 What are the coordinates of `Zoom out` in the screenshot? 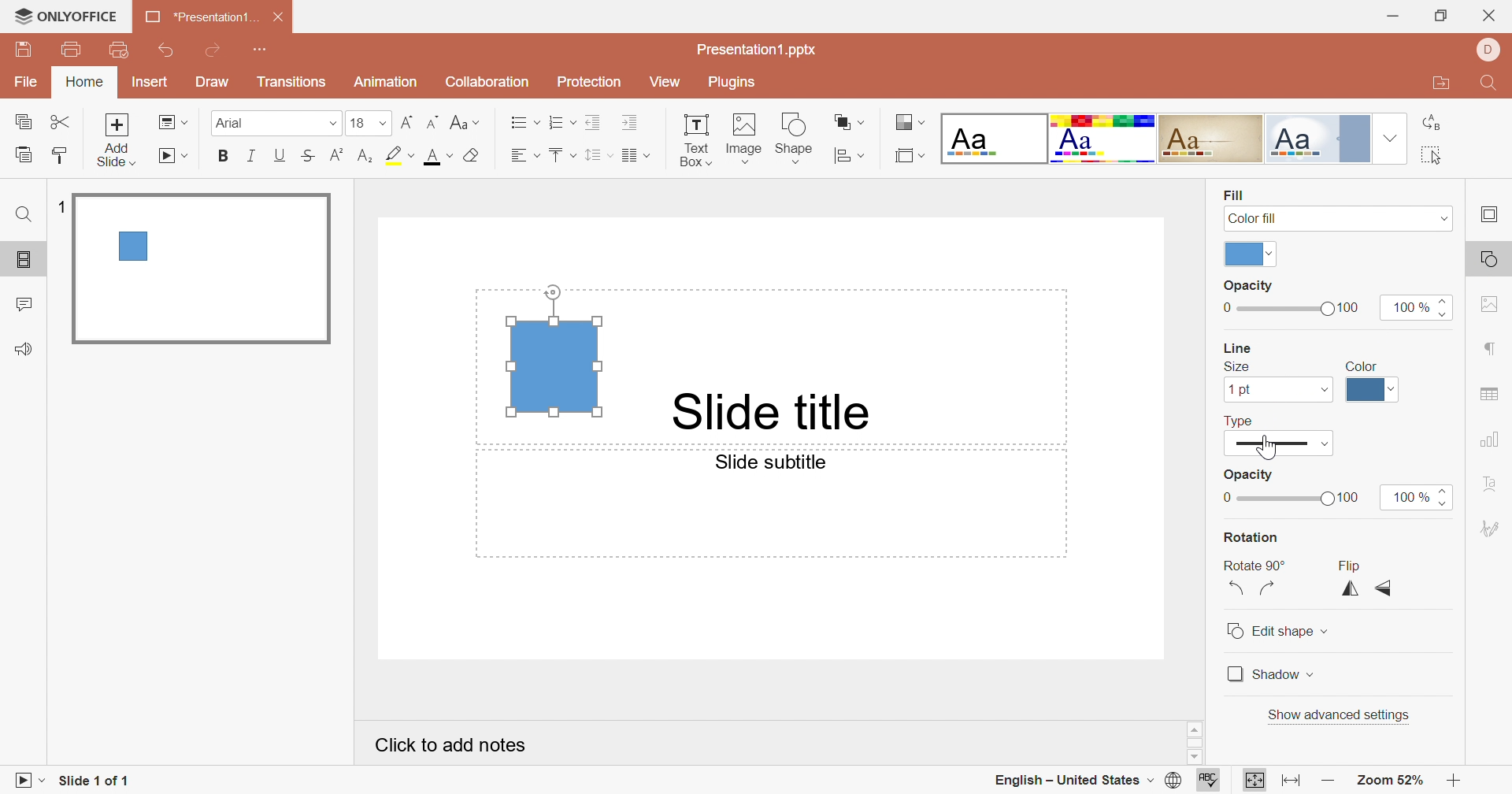 It's located at (1324, 779).